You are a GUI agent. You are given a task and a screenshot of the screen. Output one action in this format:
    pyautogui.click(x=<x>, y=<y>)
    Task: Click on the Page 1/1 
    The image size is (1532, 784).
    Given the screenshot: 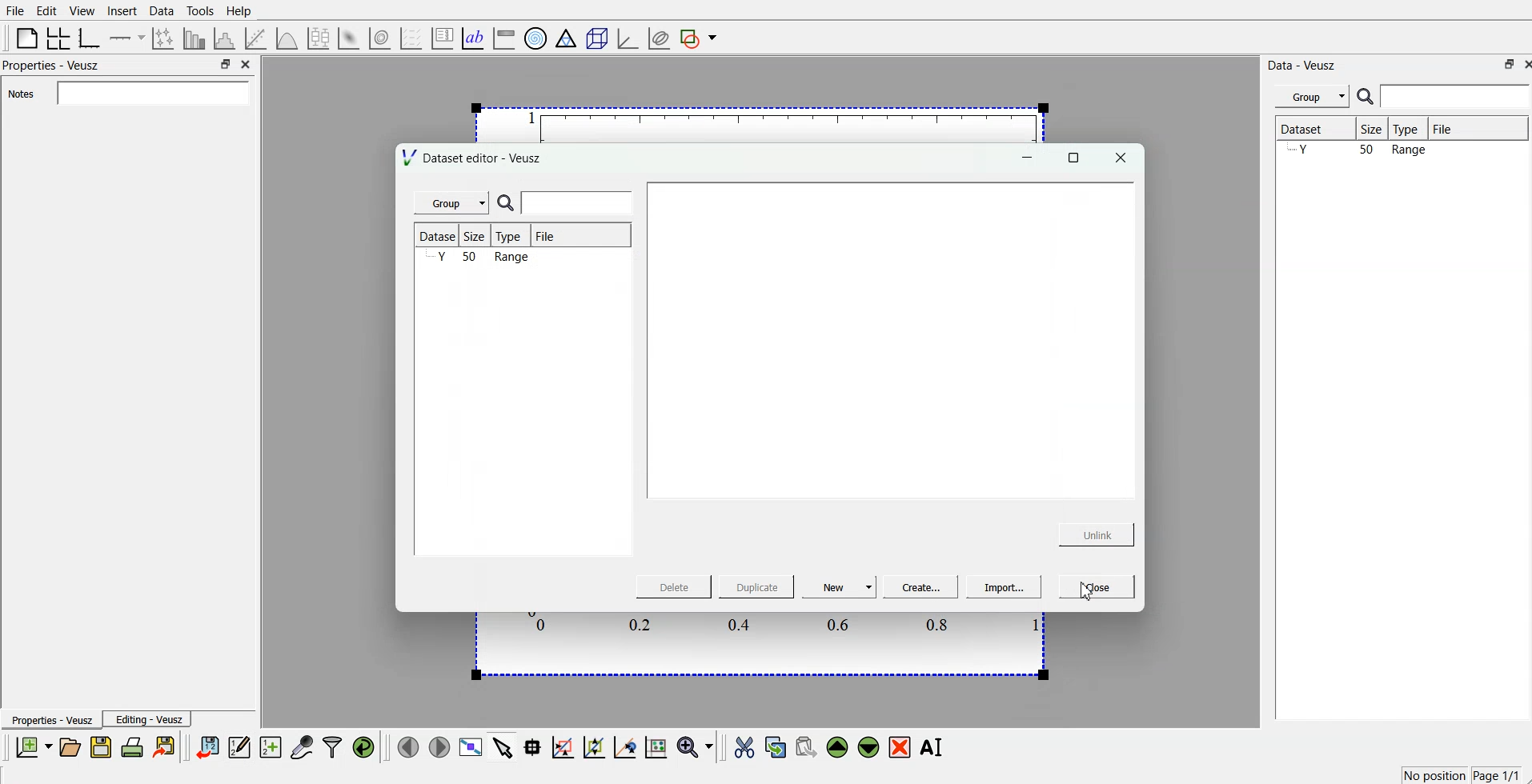 What is the action you would take?
    pyautogui.click(x=1496, y=774)
    